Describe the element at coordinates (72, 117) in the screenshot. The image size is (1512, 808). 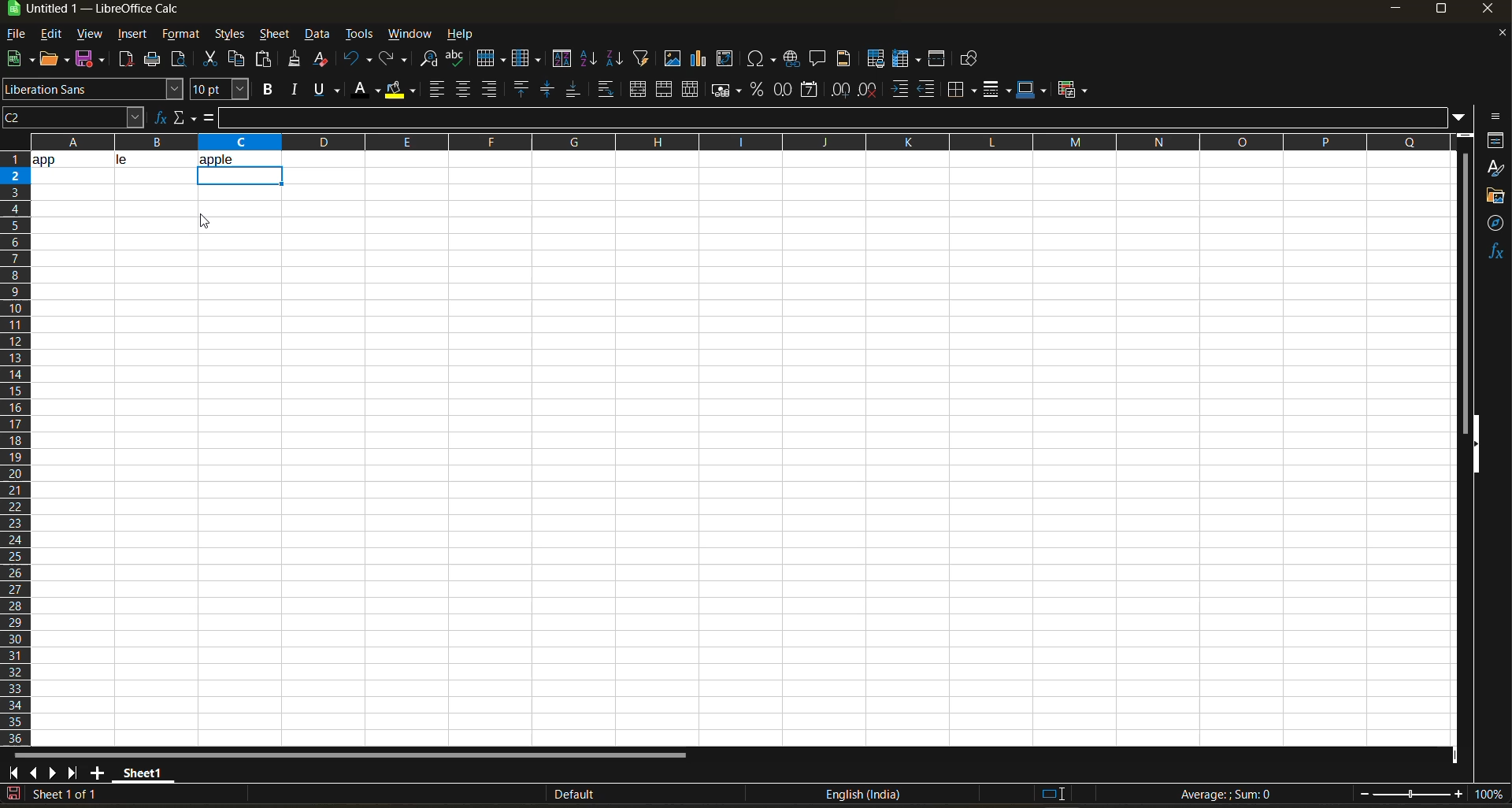
I see `cell address` at that location.